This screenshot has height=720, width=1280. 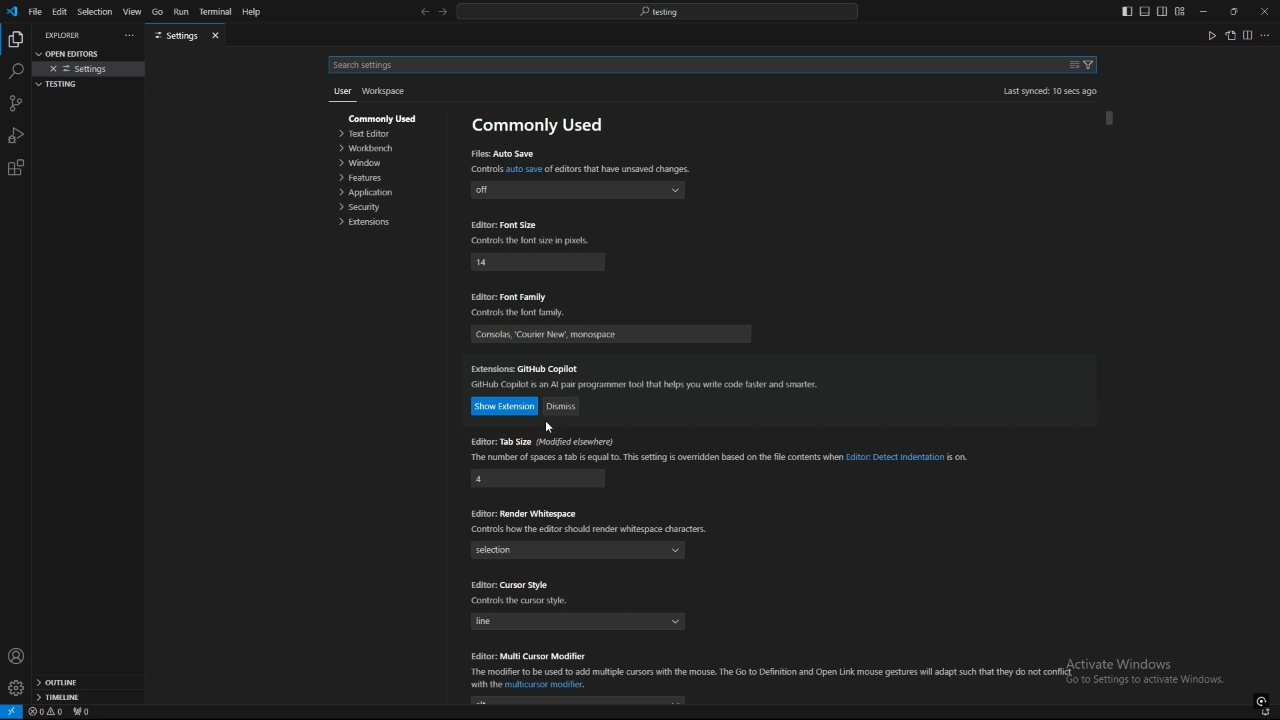 I want to click on cursor style, so click(x=578, y=621).